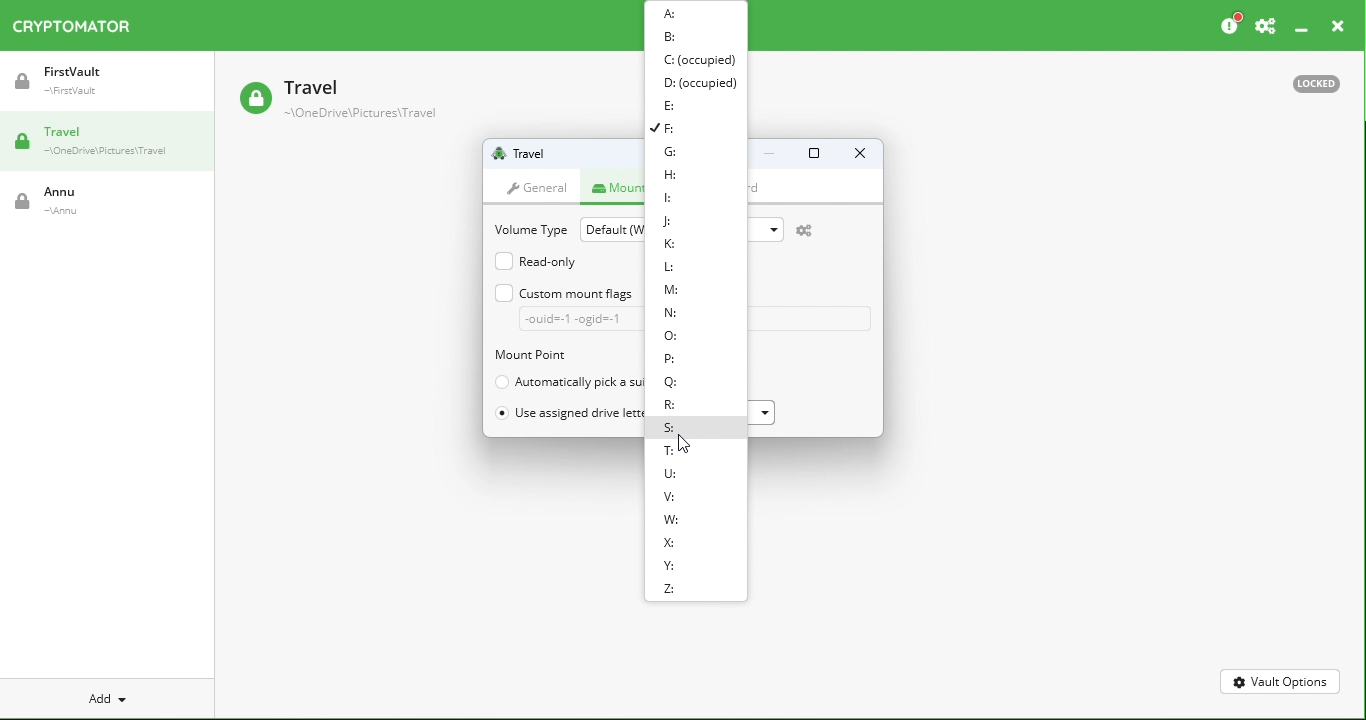  What do you see at coordinates (674, 338) in the screenshot?
I see `:` at bounding box center [674, 338].